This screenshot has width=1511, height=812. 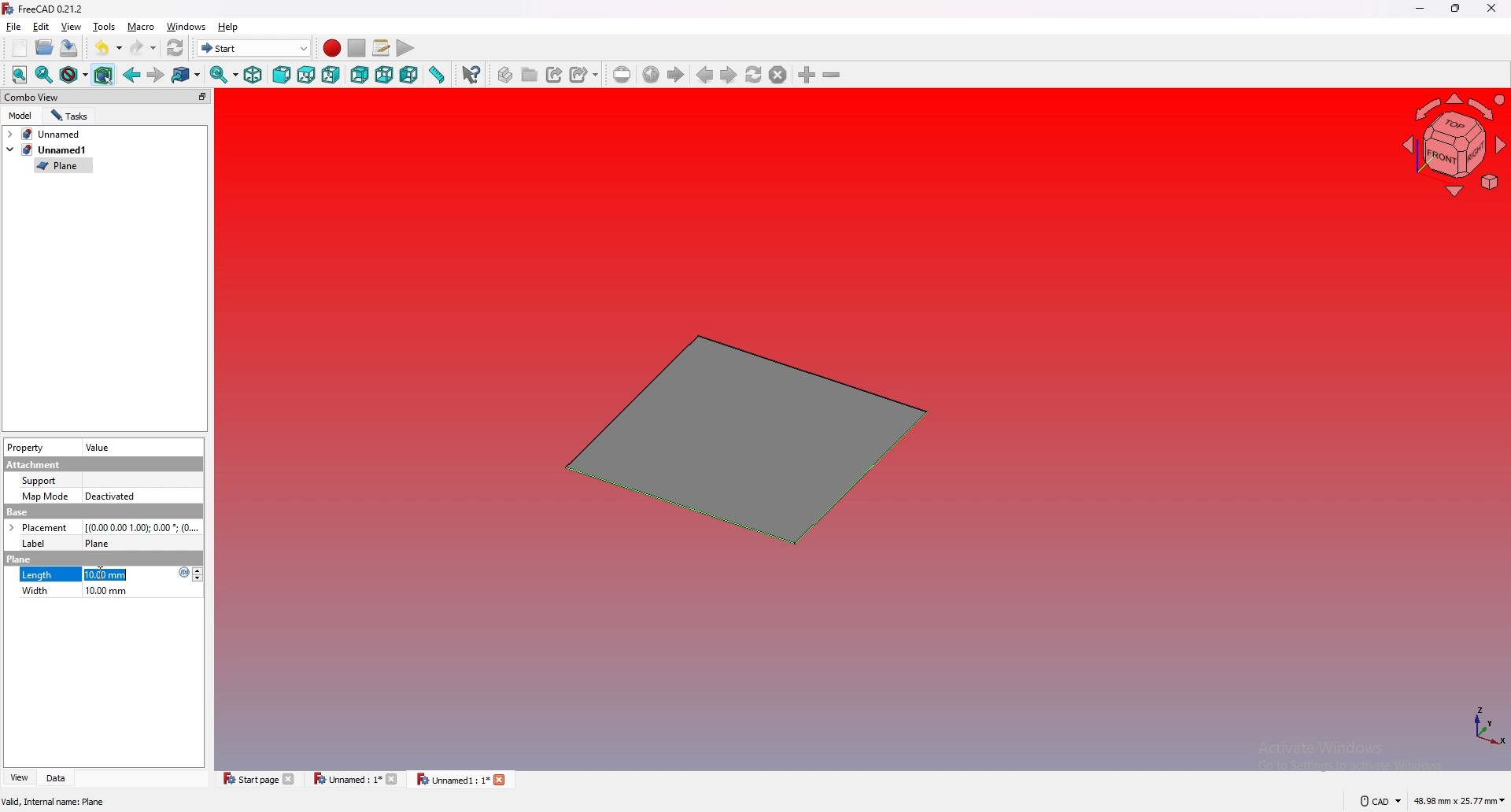 I want to click on undo, so click(x=109, y=46).